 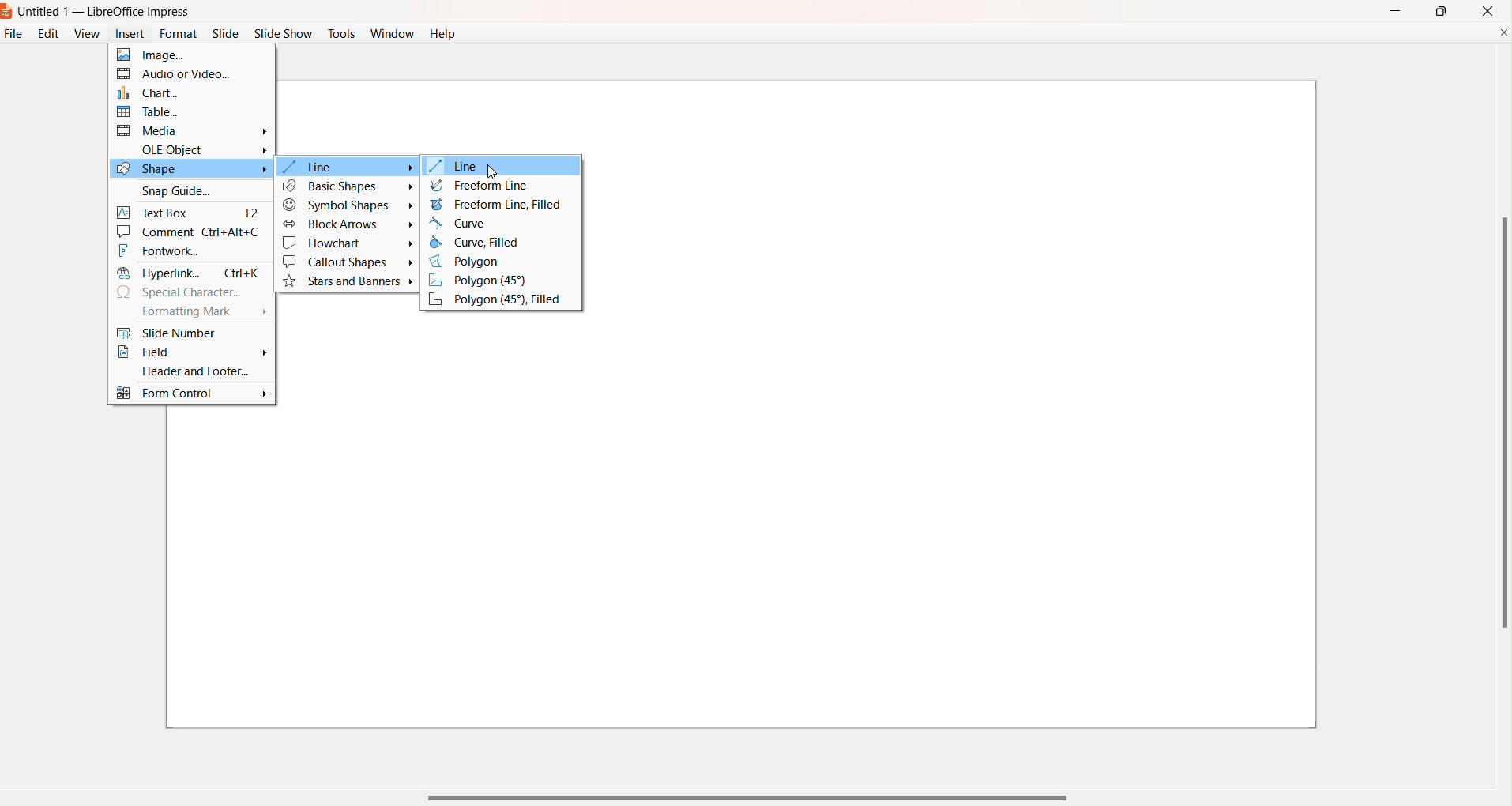 What do you see at coordinates (179, 33) in the screenshot?
I see `Format` at bounding box center [179, 33].